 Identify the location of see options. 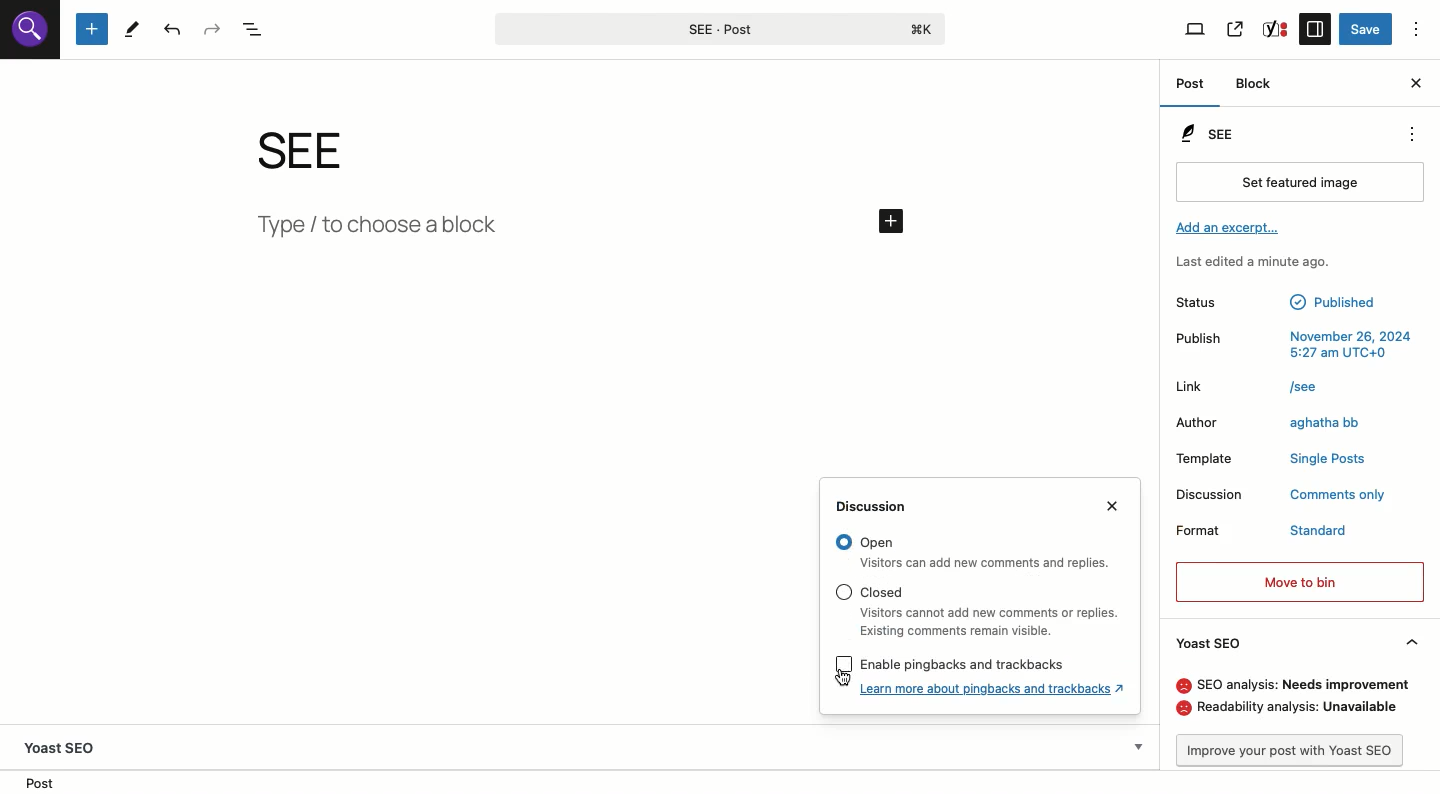
(1407, 131).